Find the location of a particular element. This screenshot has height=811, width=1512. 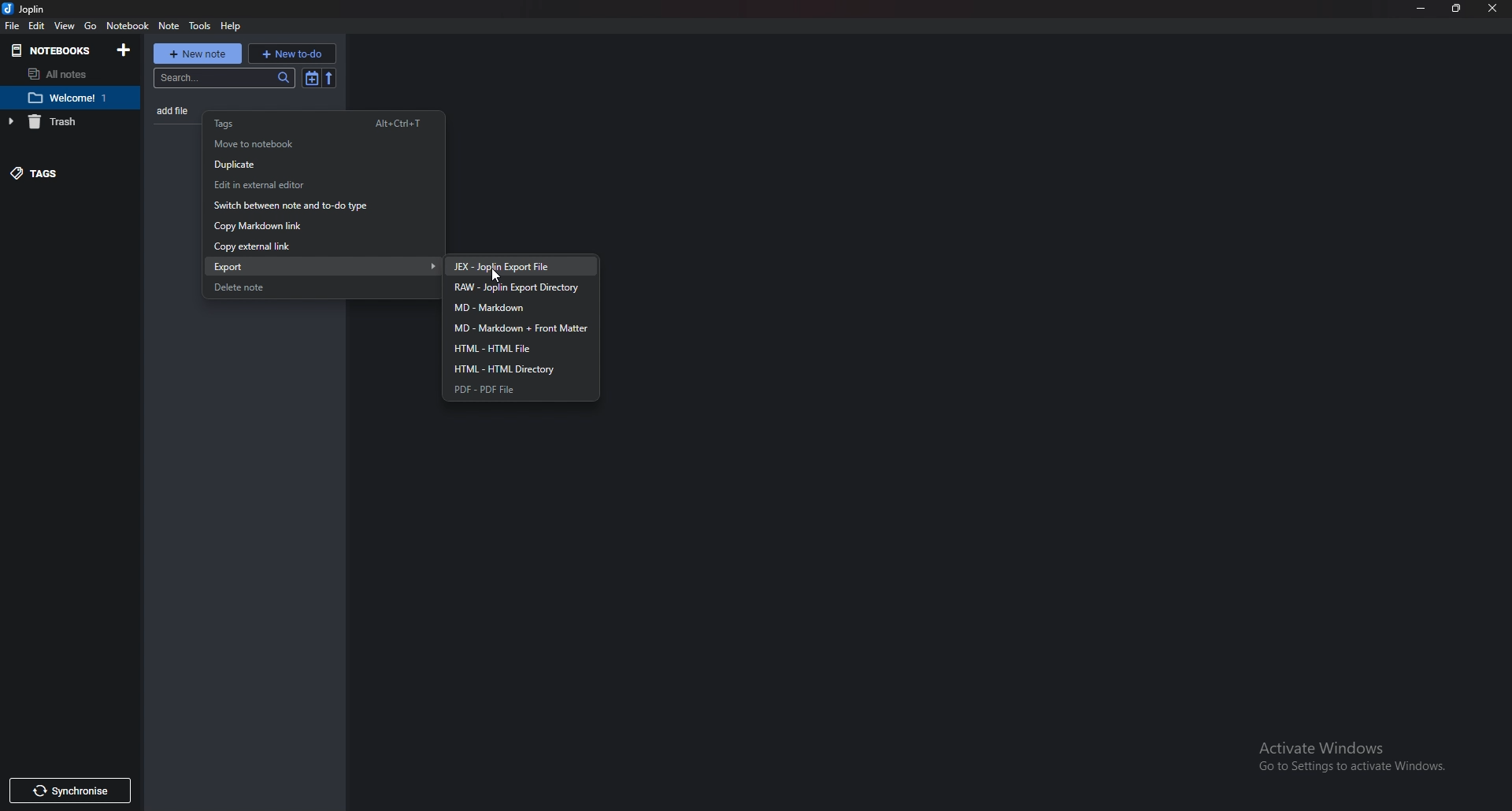

All notes is located at coordinates (62, 74).